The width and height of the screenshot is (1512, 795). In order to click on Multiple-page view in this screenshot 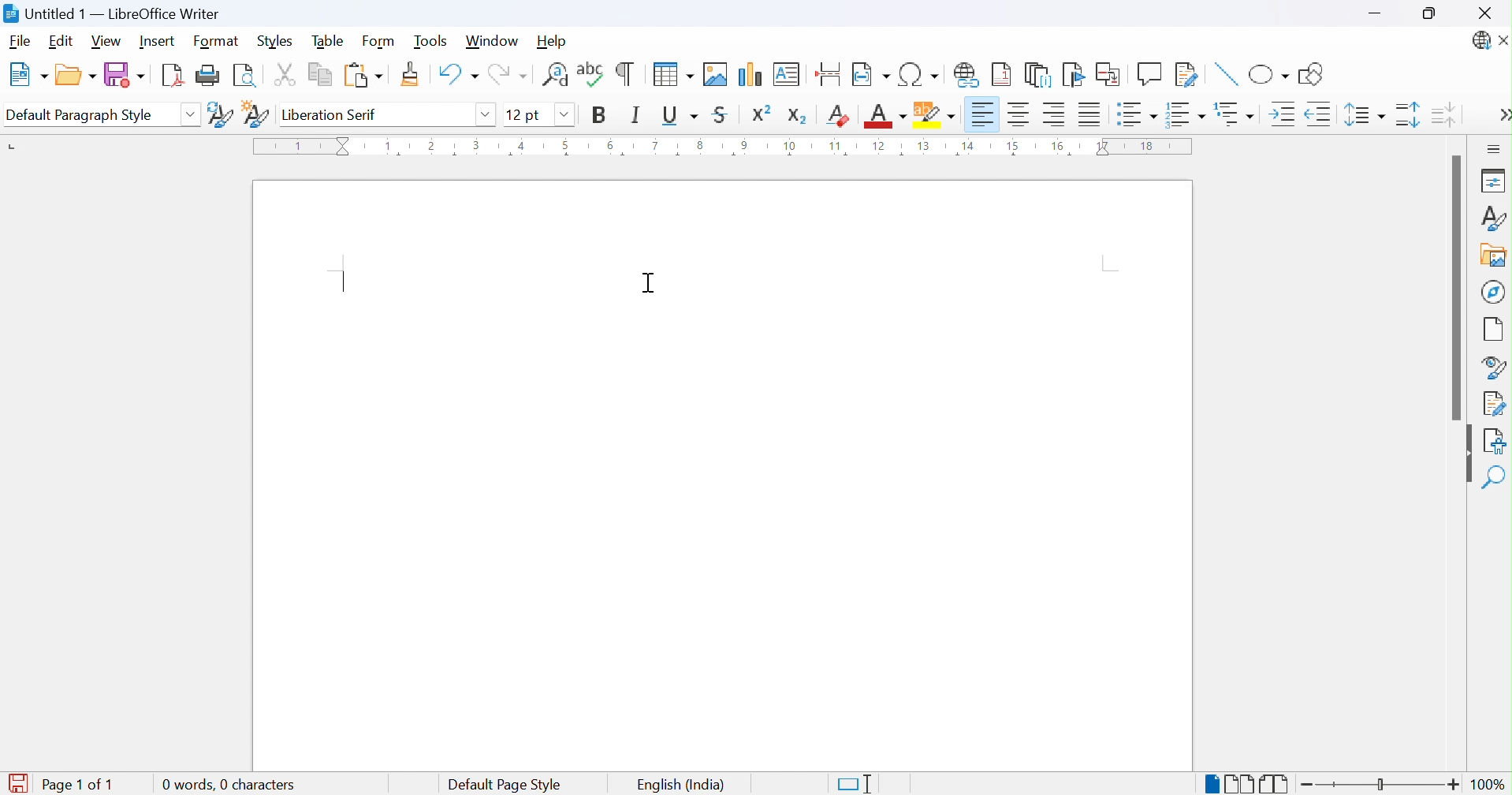, I will do `click(1241, 783)`.